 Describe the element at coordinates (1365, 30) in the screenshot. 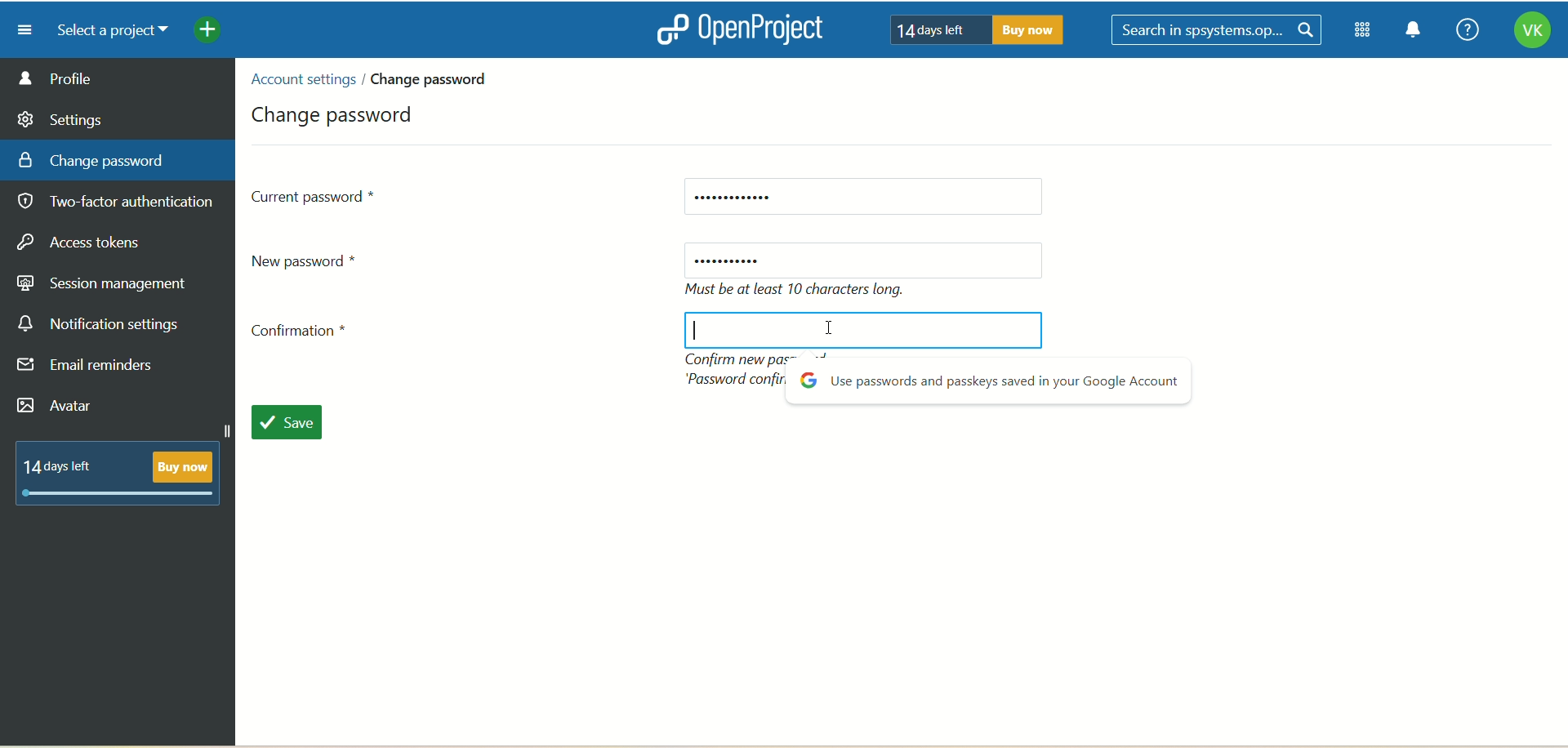

I see `module` at that location.